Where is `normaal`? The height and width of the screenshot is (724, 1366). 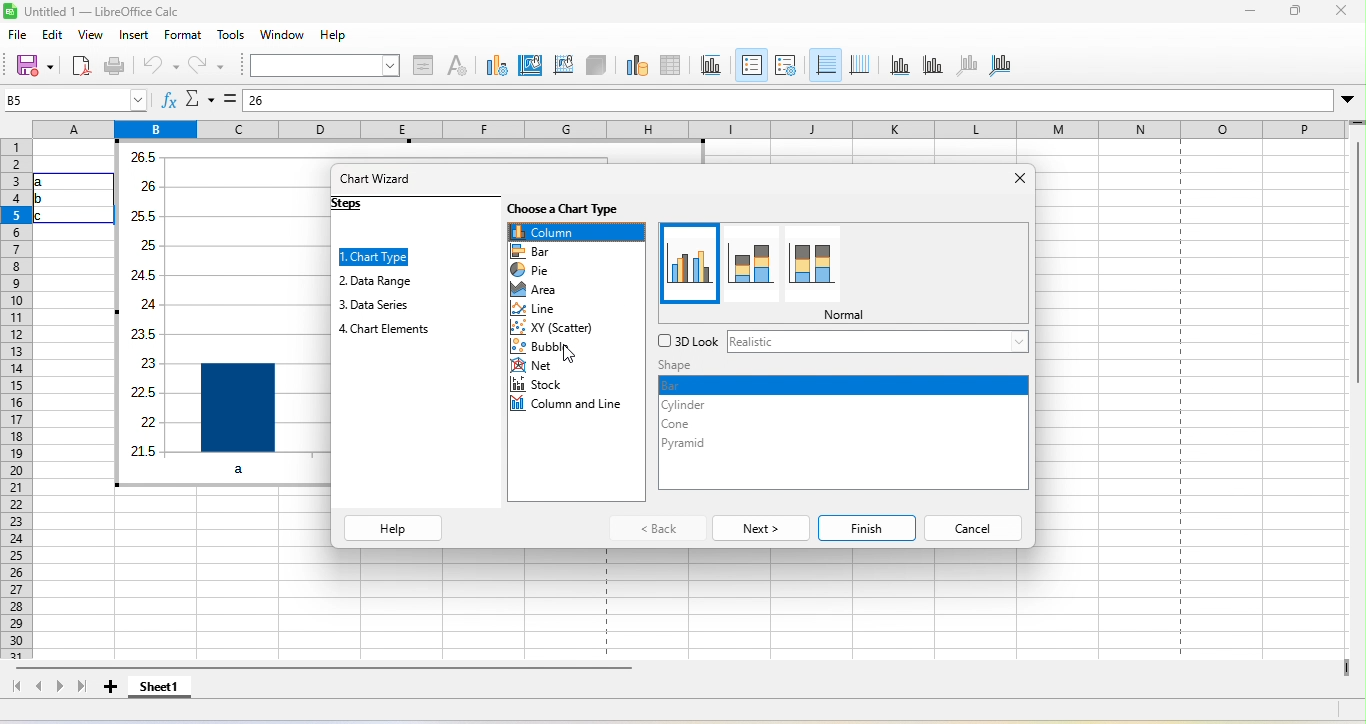
normaal is located at coordinates (842, 314).